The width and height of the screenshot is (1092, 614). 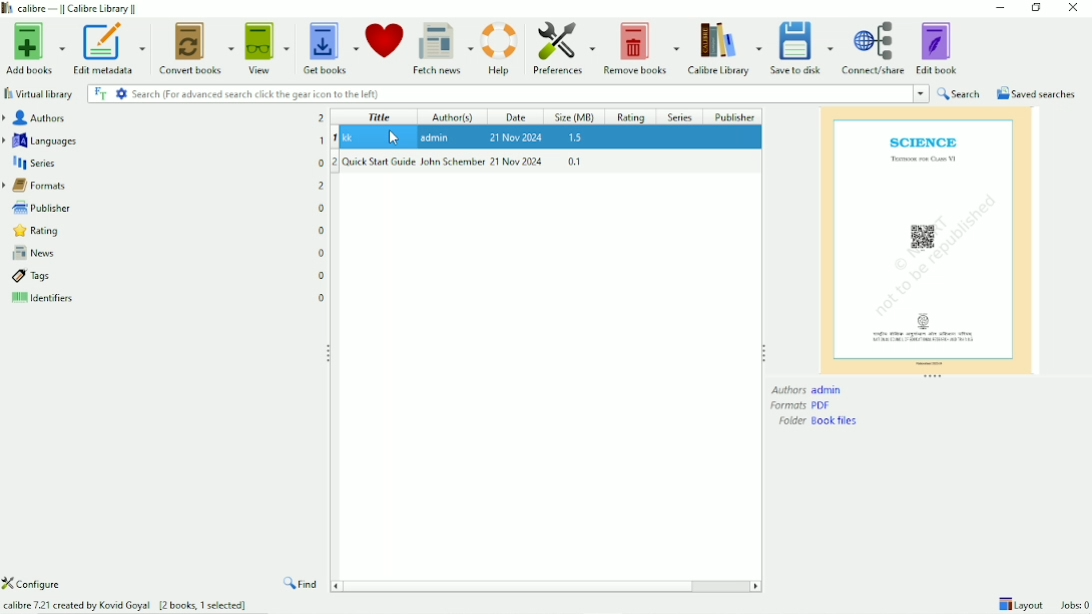 I want to click on Formats, so click(x=38, y=186).